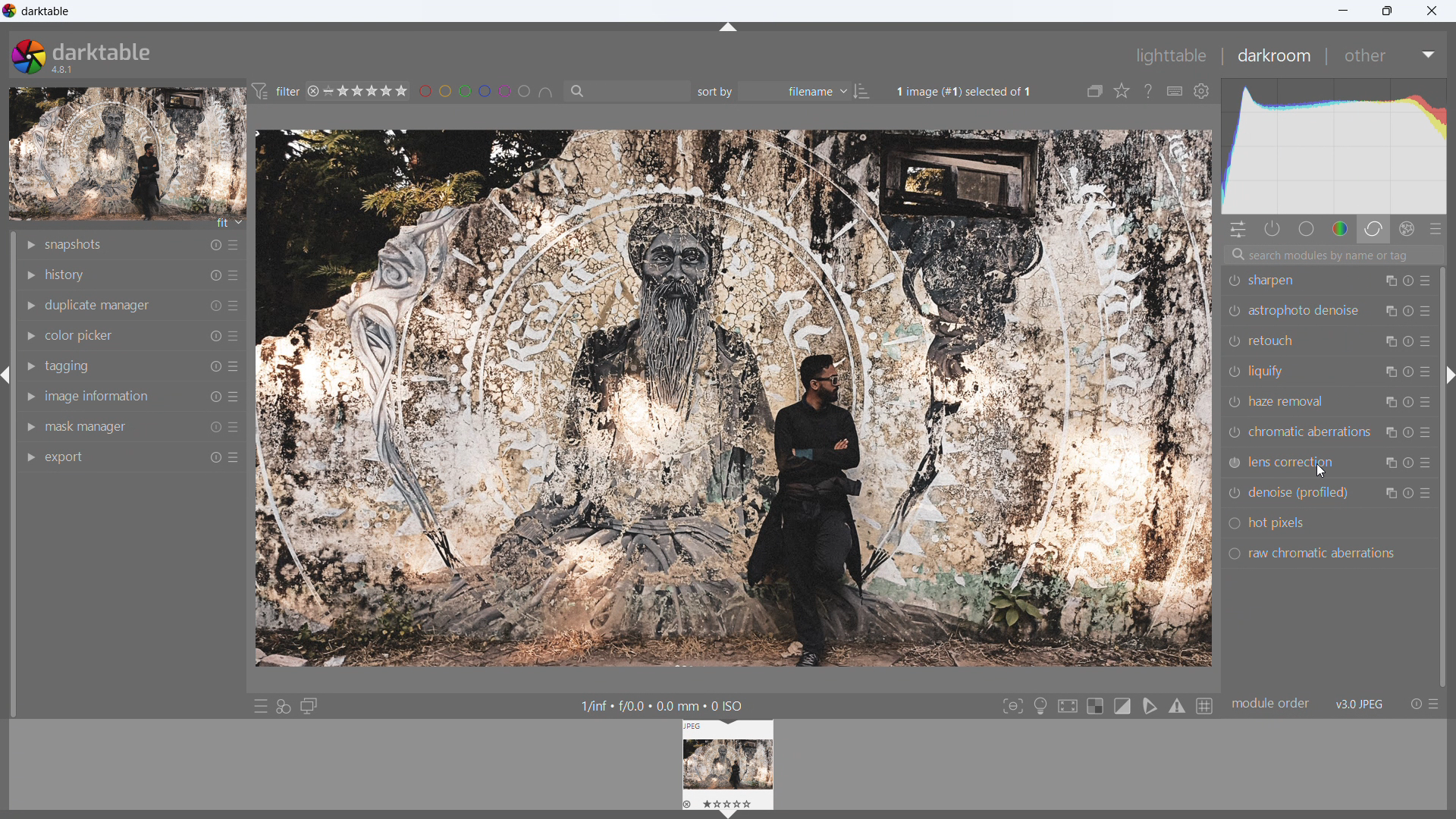  Describe the element at coordinates (1012, 706) in the screenshot. I see `toggle focus-peaking mode` at that location.